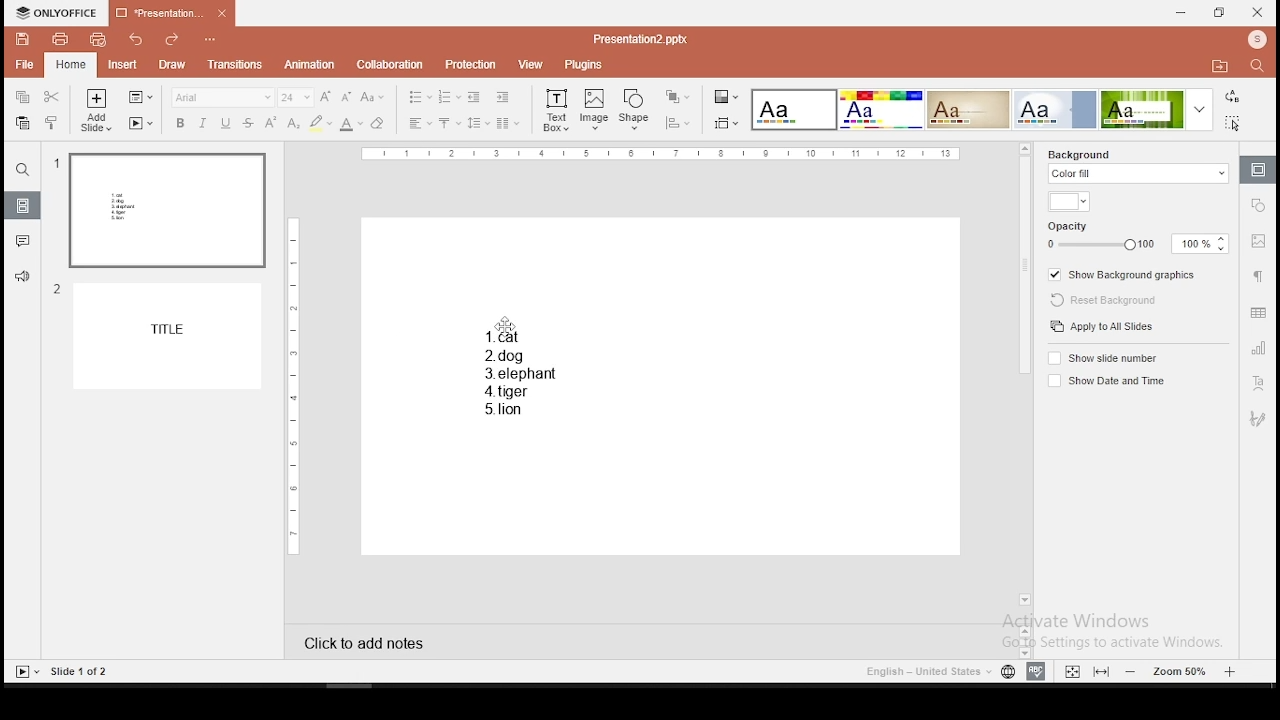 This screenshot has height=720, width=1280. Describe the element at coordinates (293, 123) in the screenshot. I see `subscript` at that location.